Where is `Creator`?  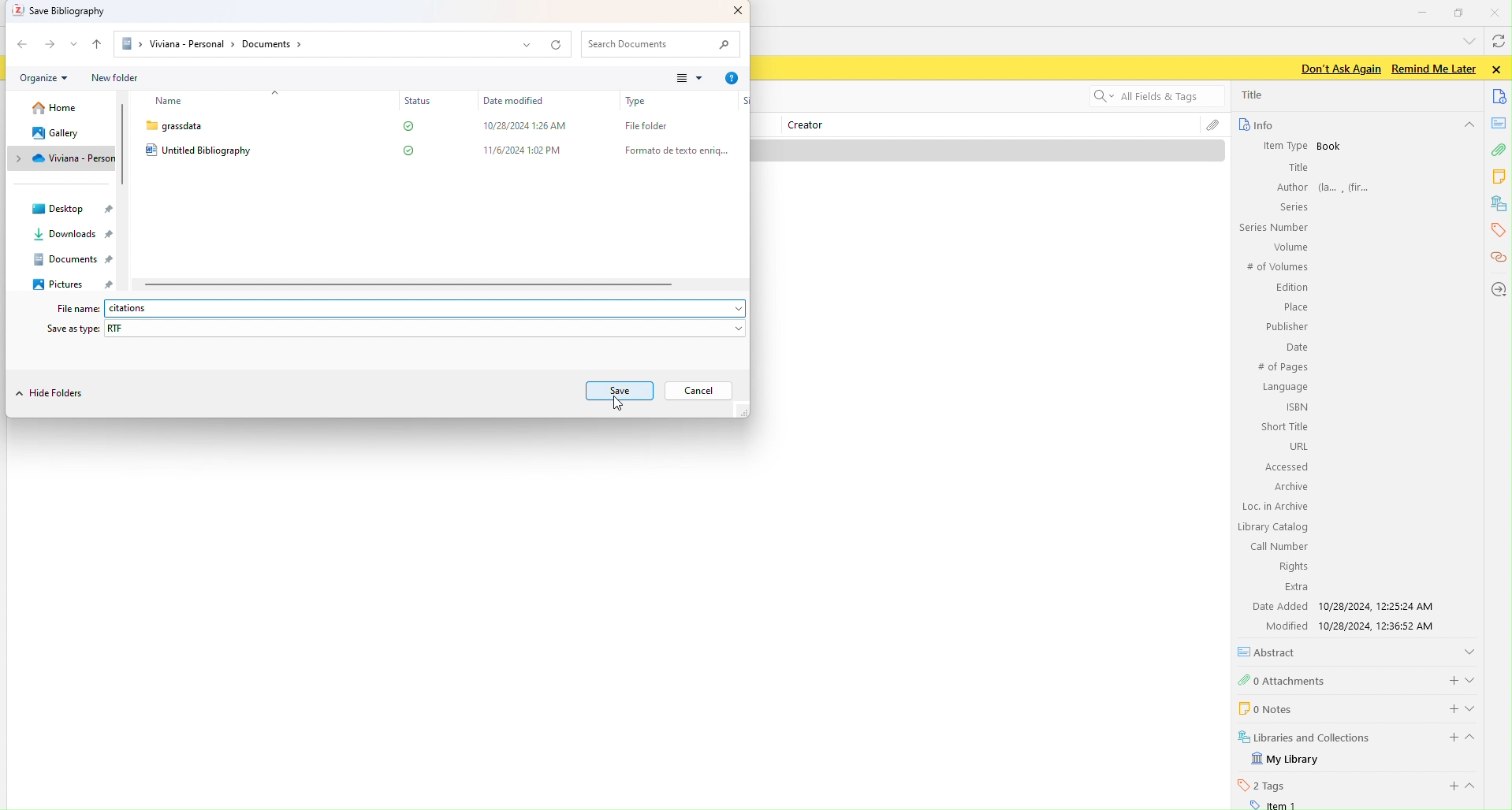 Creator is located at coordinates (812, 126).